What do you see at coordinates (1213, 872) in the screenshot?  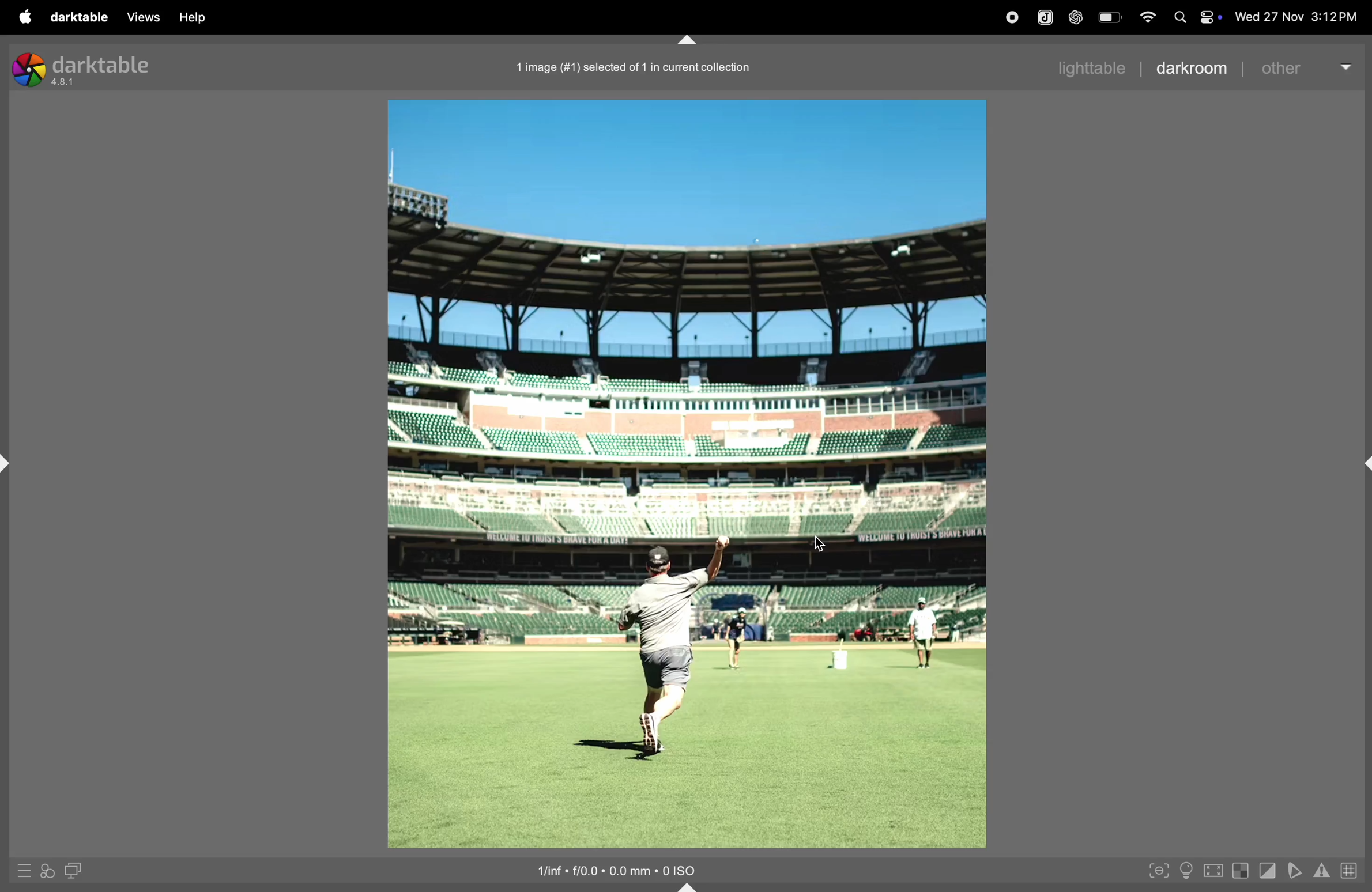 I see `toggle high quality processing` at bounding box center [1213, 872].